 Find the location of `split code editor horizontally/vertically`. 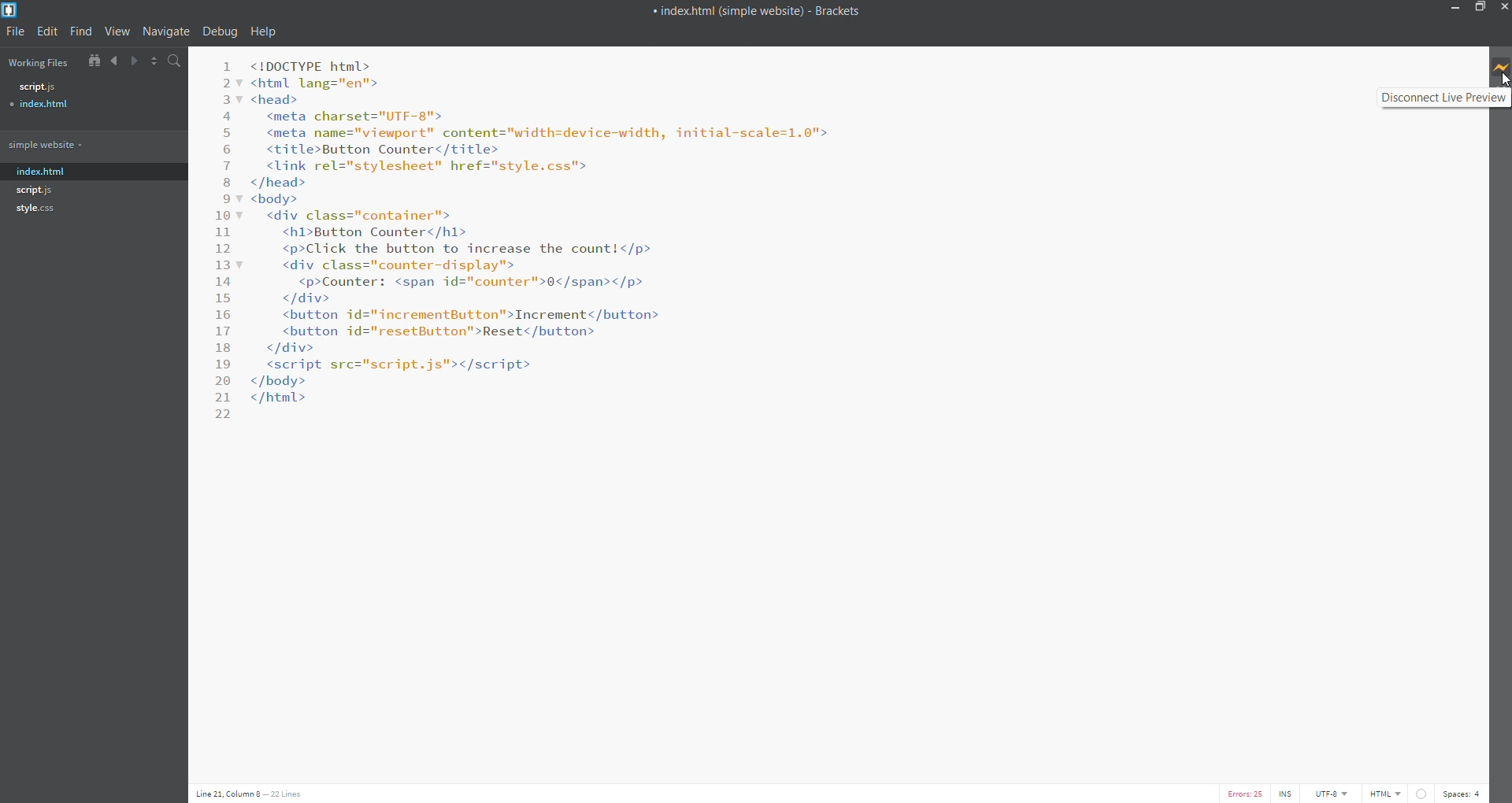

split code editor horizontally/vertically is located at coordinates (153, 64).